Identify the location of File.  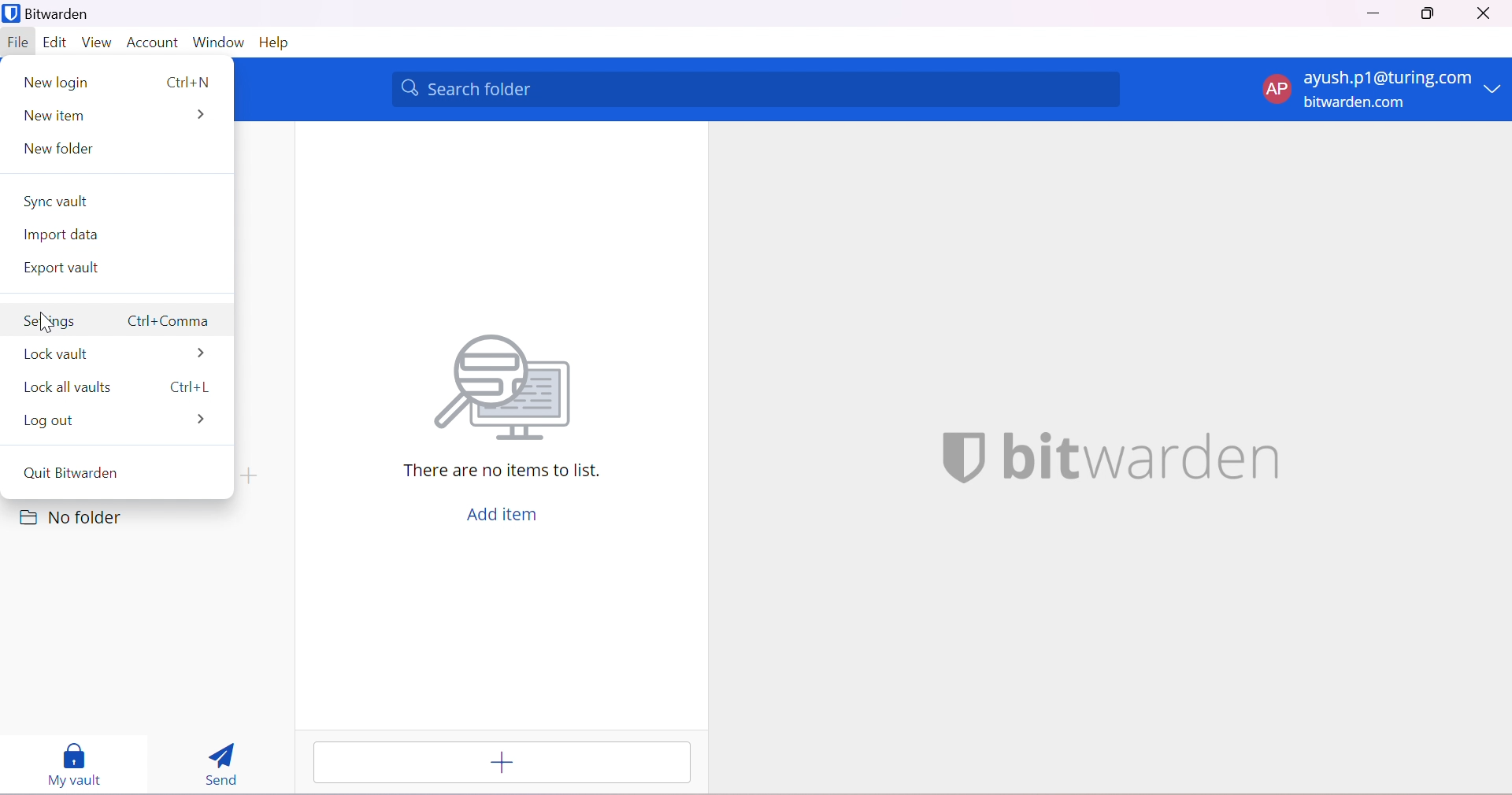
(17, 45).